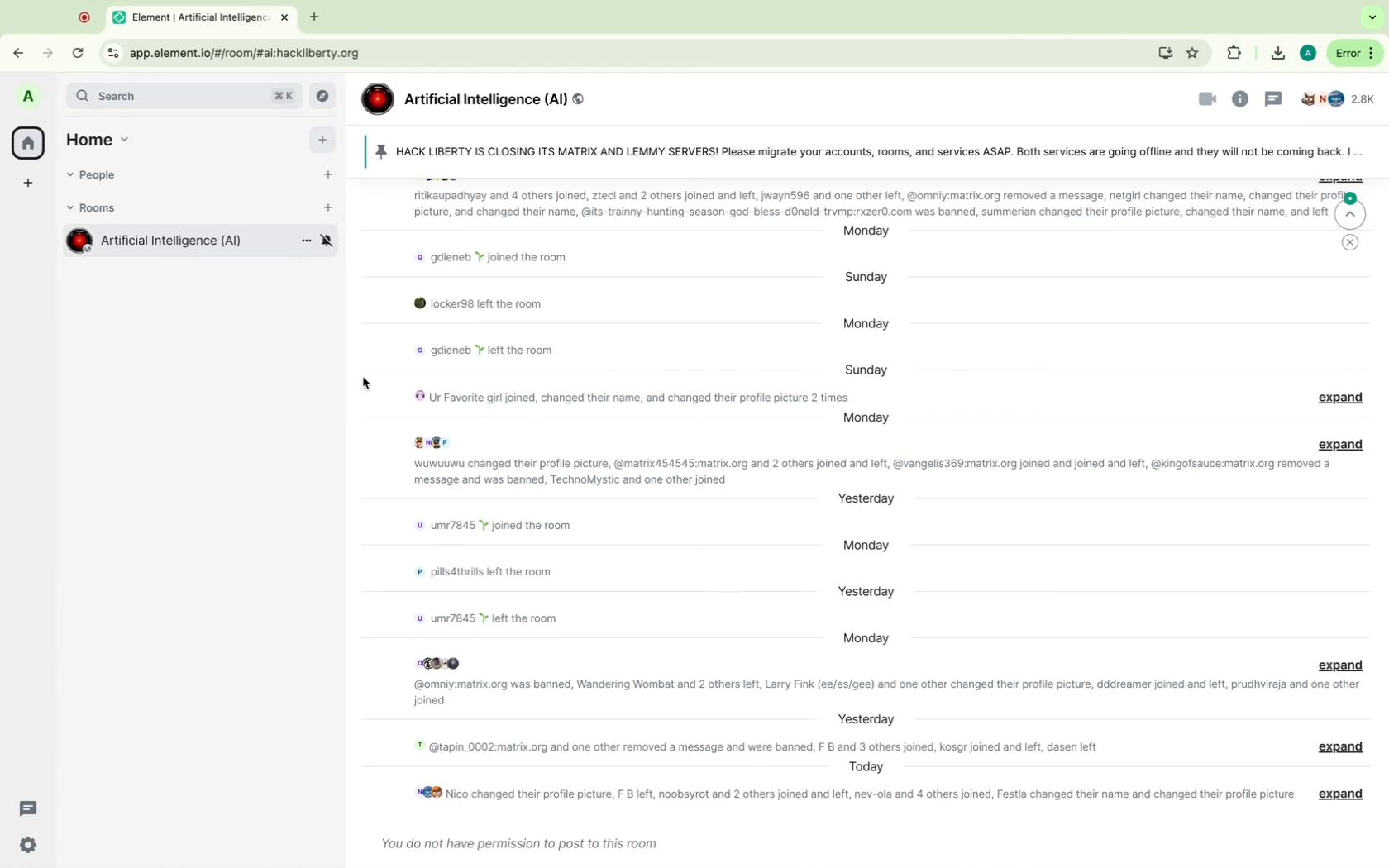 This screenshot has width=1389, height=868. I want to click on refresh, so click(76, 52).